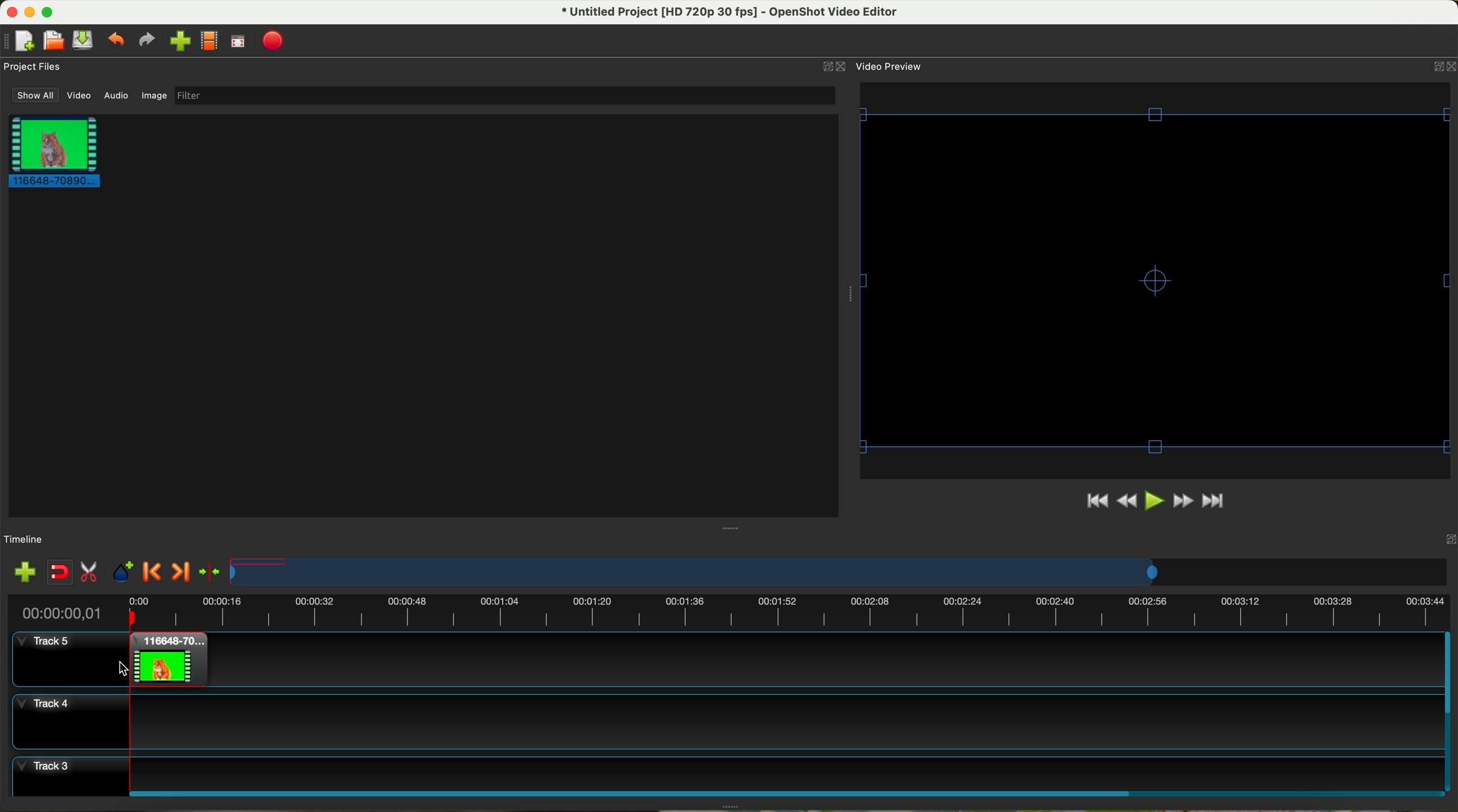 This screenshot has width=1458, height=812. I want to click on rewind, so click(1128, 501).